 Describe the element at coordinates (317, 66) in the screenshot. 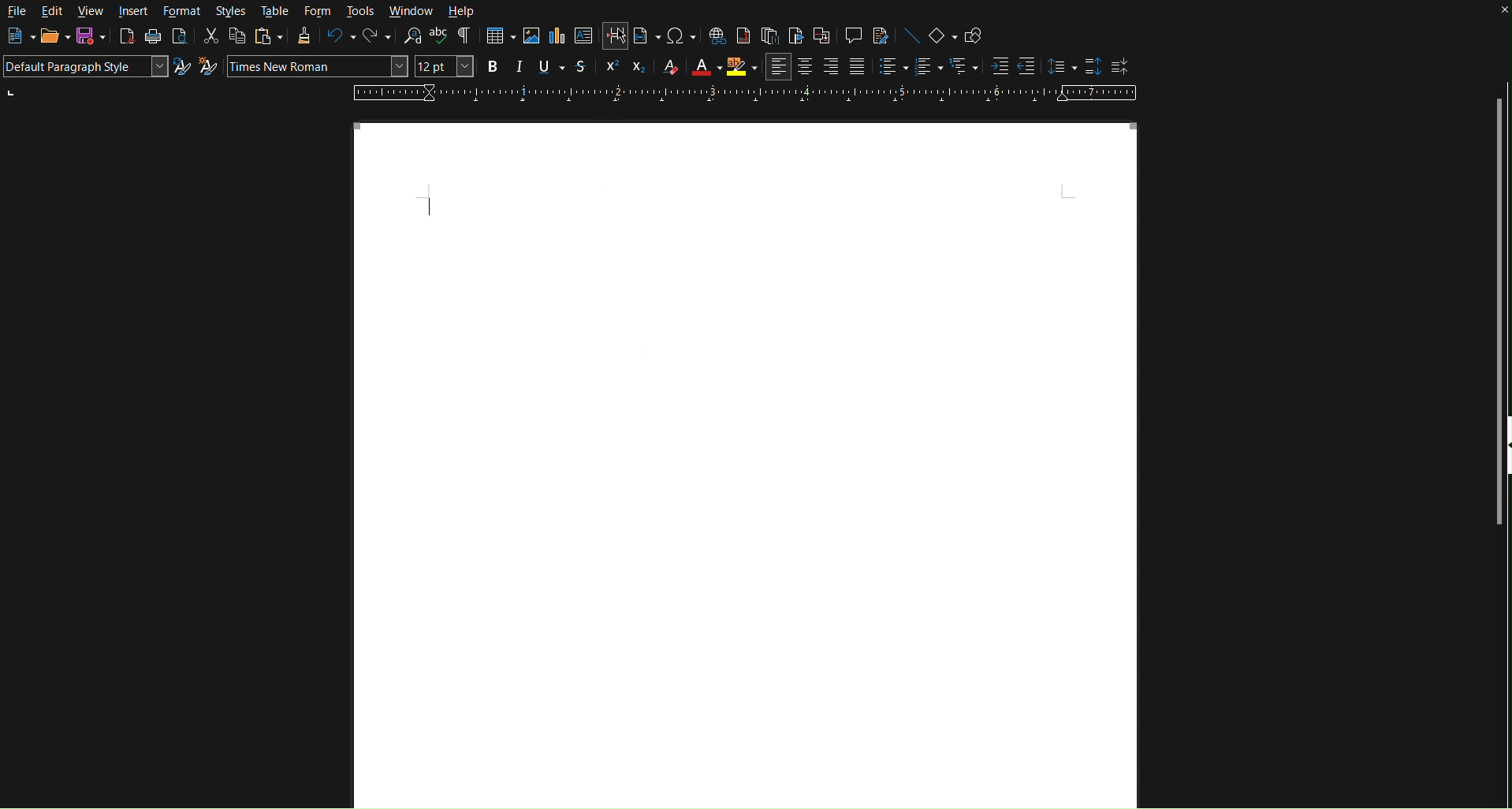

I see `Times New Roman` at that location.